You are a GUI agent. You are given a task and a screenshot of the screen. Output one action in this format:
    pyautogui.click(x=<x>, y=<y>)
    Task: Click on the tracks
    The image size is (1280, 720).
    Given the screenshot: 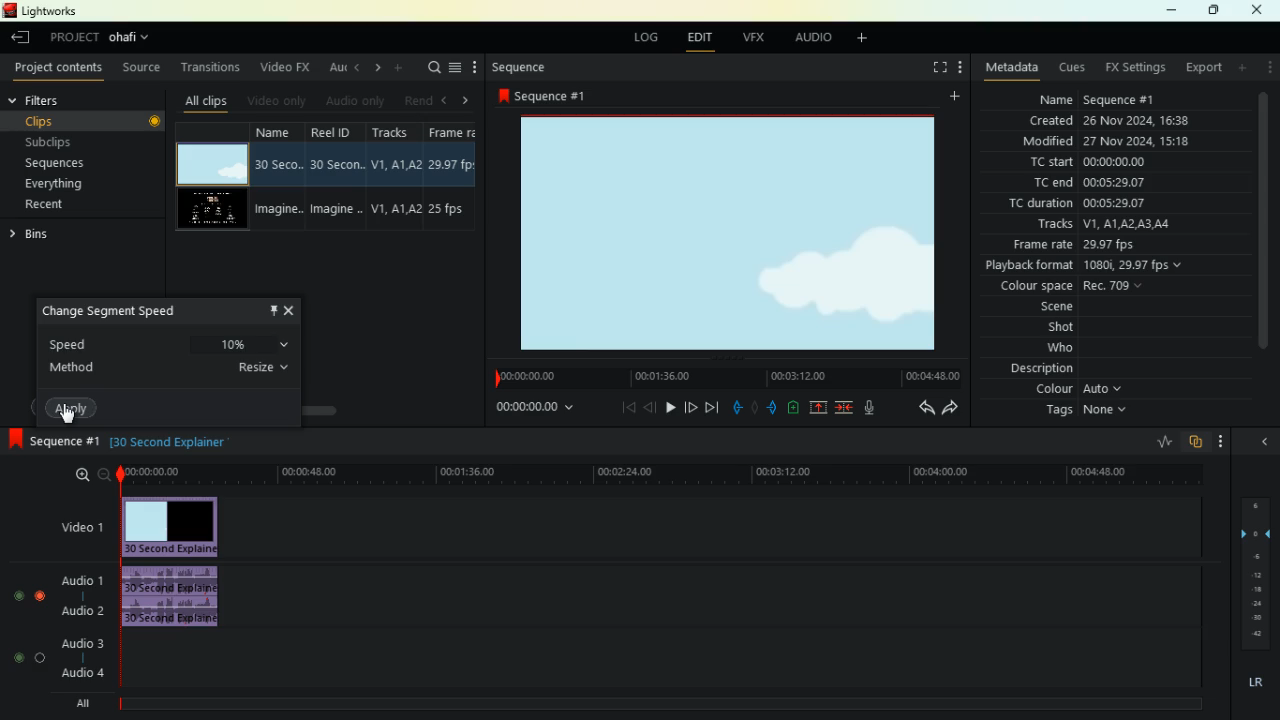 What is the action you would take?
    pyautogui.click(x=1098, y=226)
    